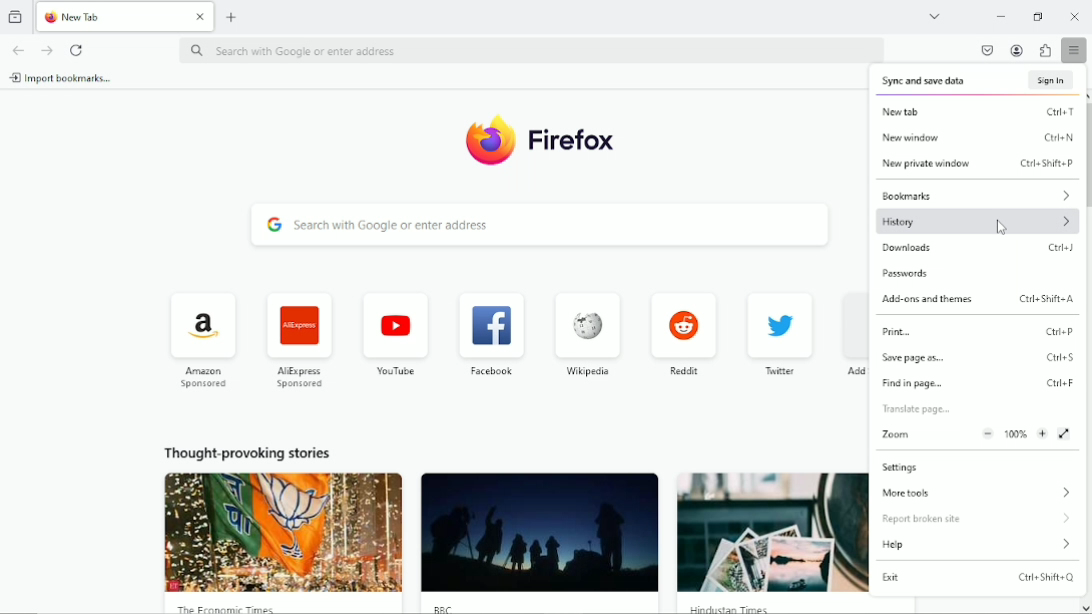 The width and height of the screenshot is (1092, 614). Describe the element at coordinates (782, 332) in the screenshot. I see `Twitter` at that location.